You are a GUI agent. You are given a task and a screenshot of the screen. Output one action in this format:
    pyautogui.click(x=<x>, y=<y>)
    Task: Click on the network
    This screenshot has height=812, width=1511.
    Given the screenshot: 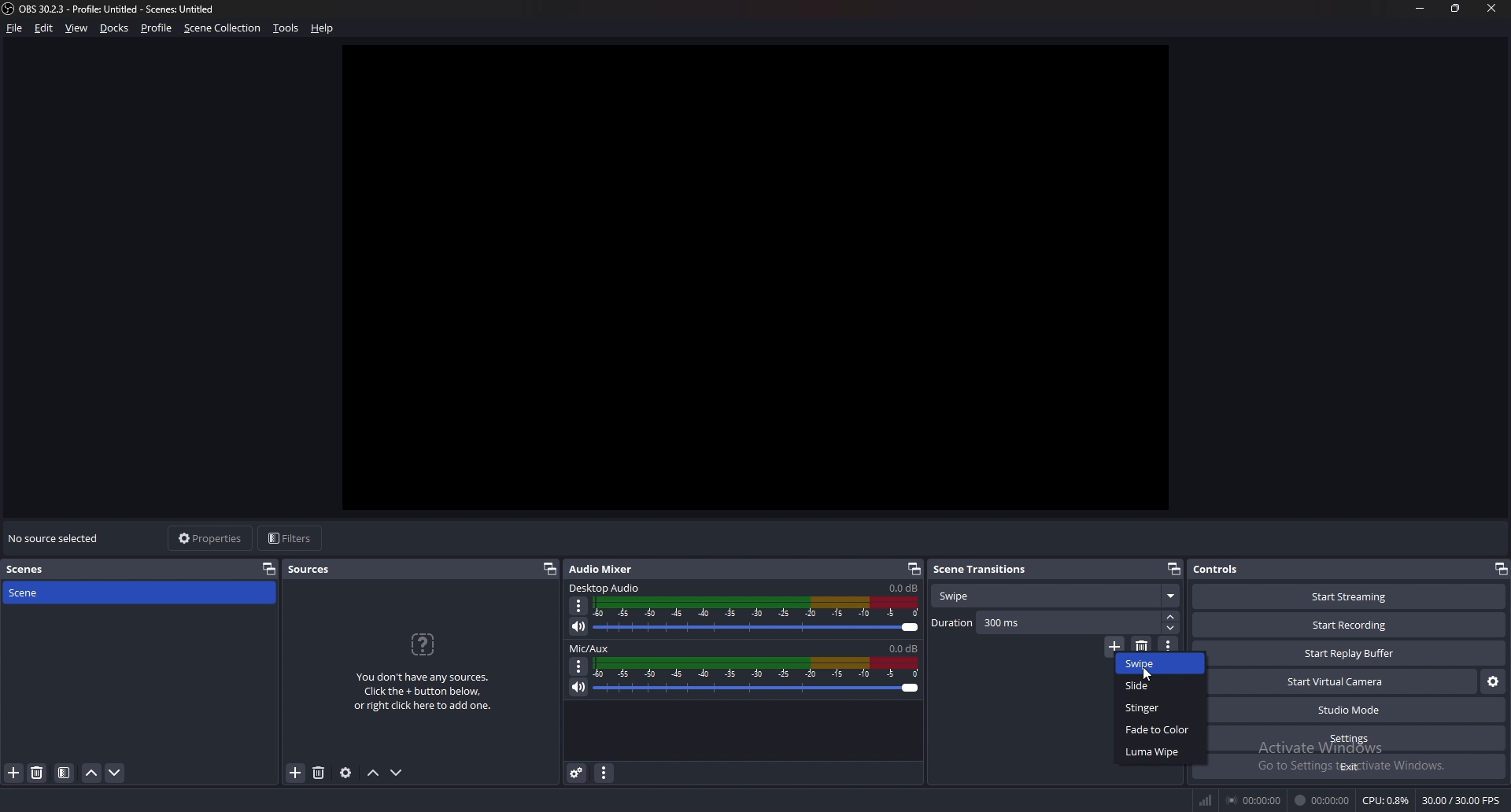 What is the action you would take?
    pyautogui.click(x=1209, y=799)
    